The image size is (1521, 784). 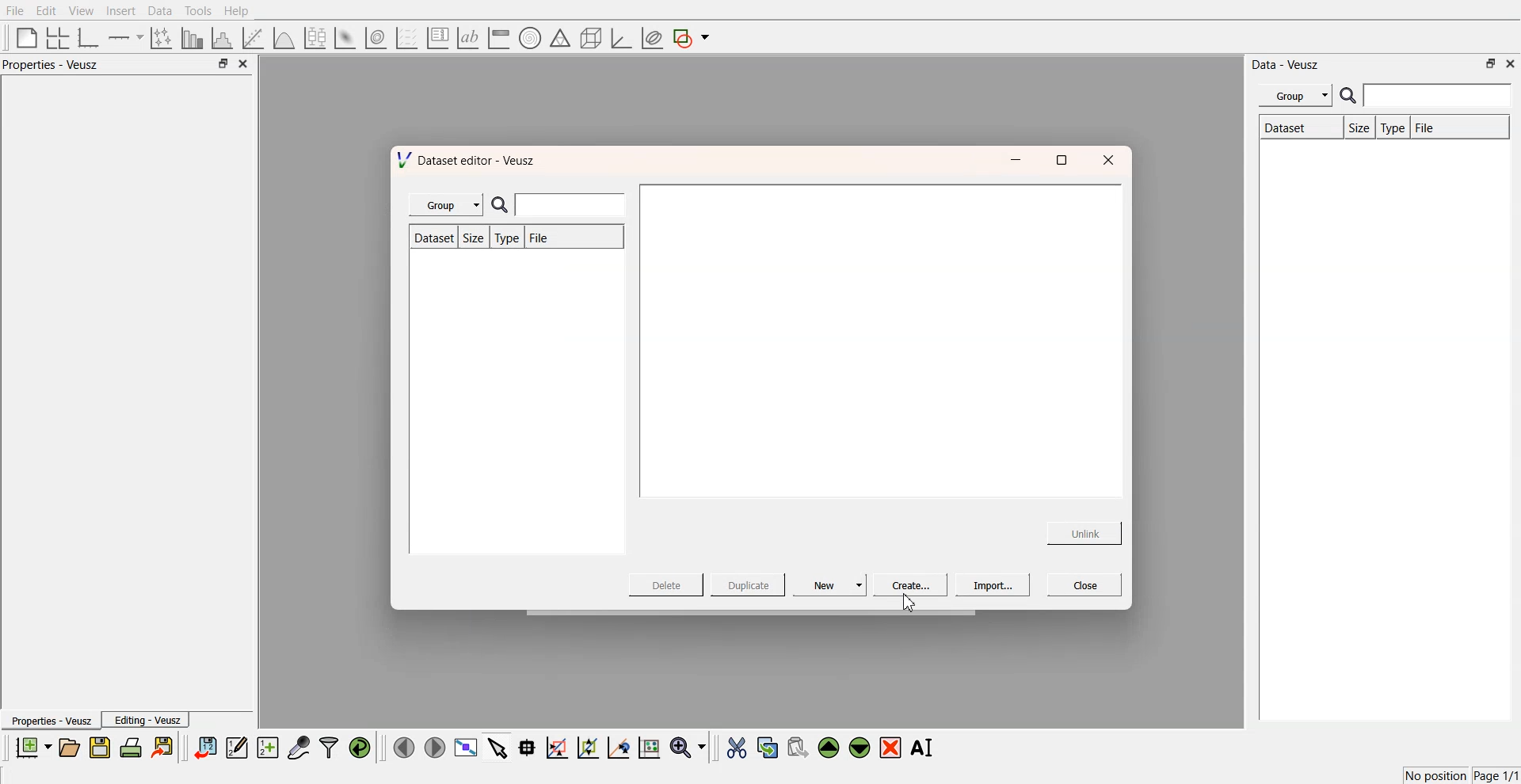 What do you see at coordinates (119, 11) in the screenshot?
I see `Insert` at bounding box center [119, 11].